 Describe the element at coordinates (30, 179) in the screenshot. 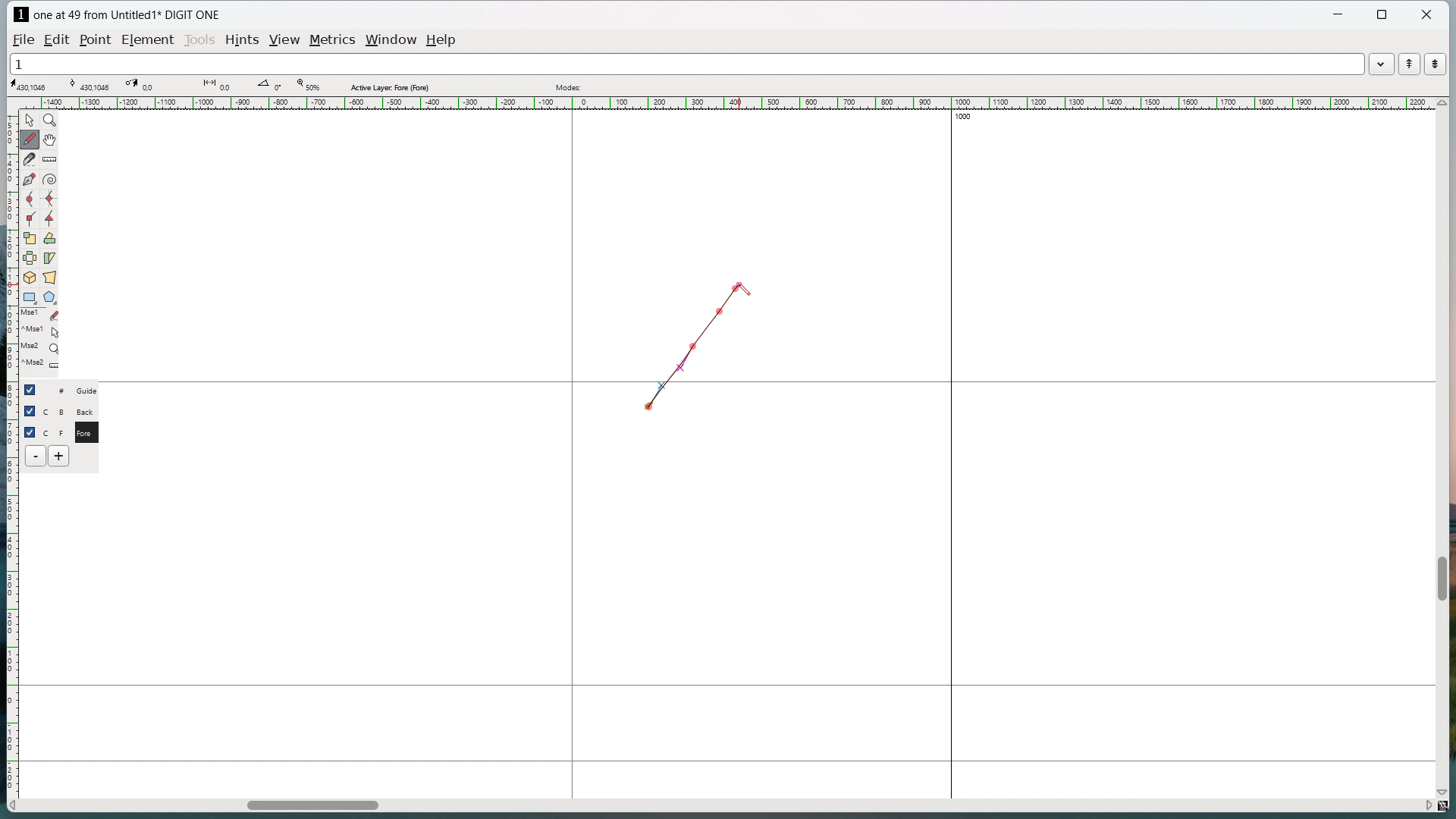

I see `add a point then drag out its control points` at that location.